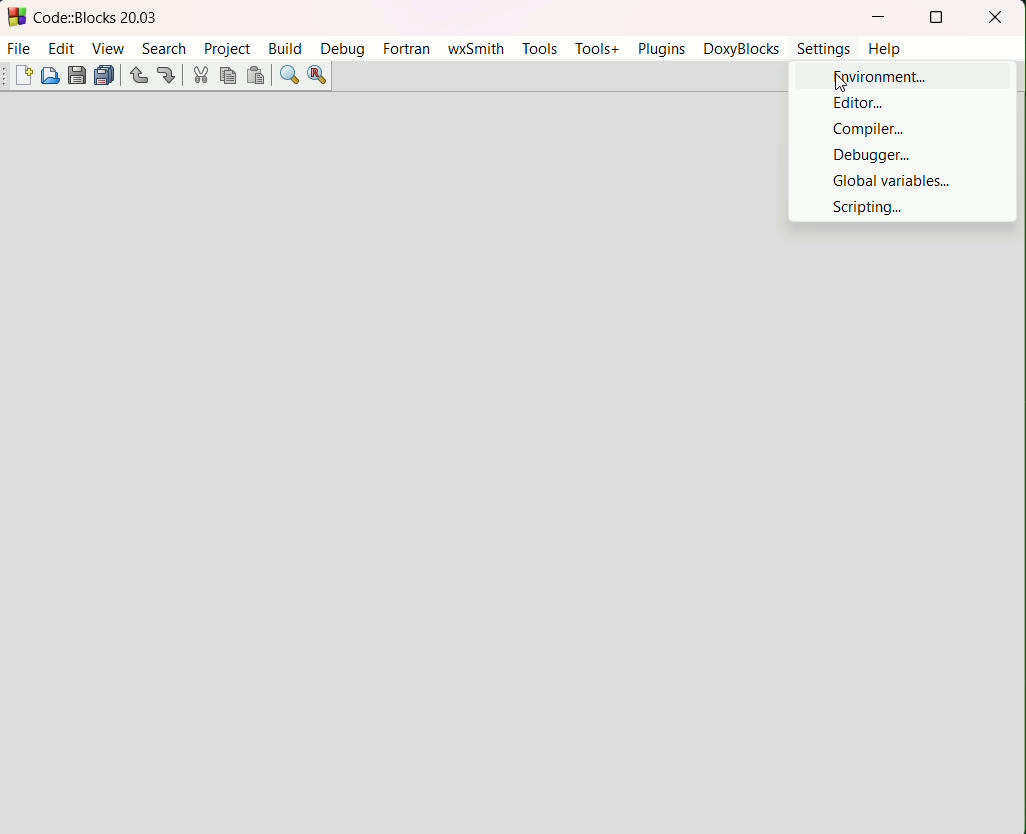 This screenshot has height=834, width=1026. What do you see at coordinates (77, 76) in the screenshot?
I see `save` at bounding box center [77, 76].